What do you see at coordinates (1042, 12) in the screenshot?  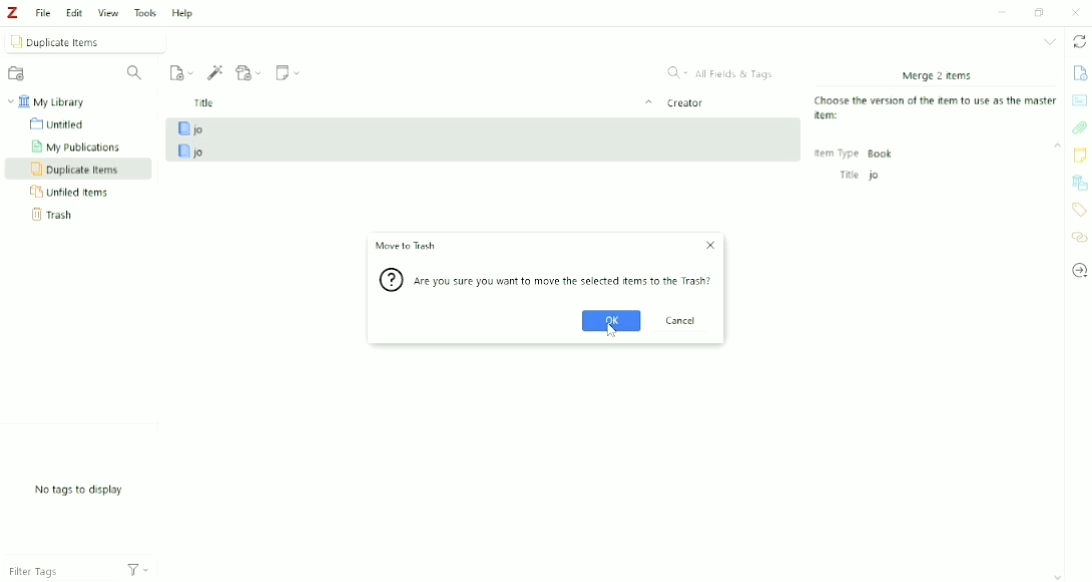 I see `Maximize` at bounding box center [1042, 12].